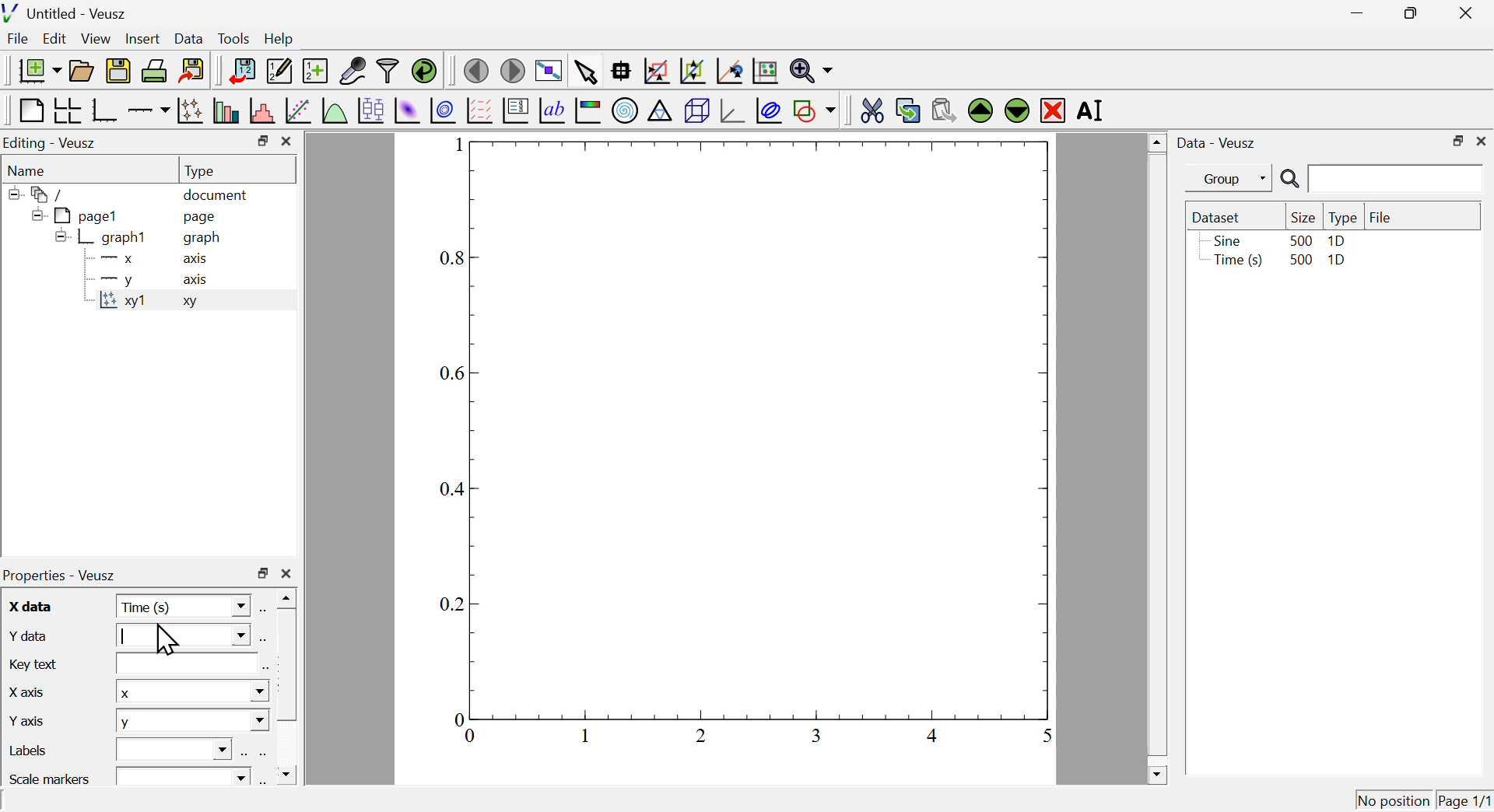 The height and width of the screenshot is (812, 1494). Describe the element at coordinates (731, 71) in the screenshot. I see `recenter graph axes` at that location.